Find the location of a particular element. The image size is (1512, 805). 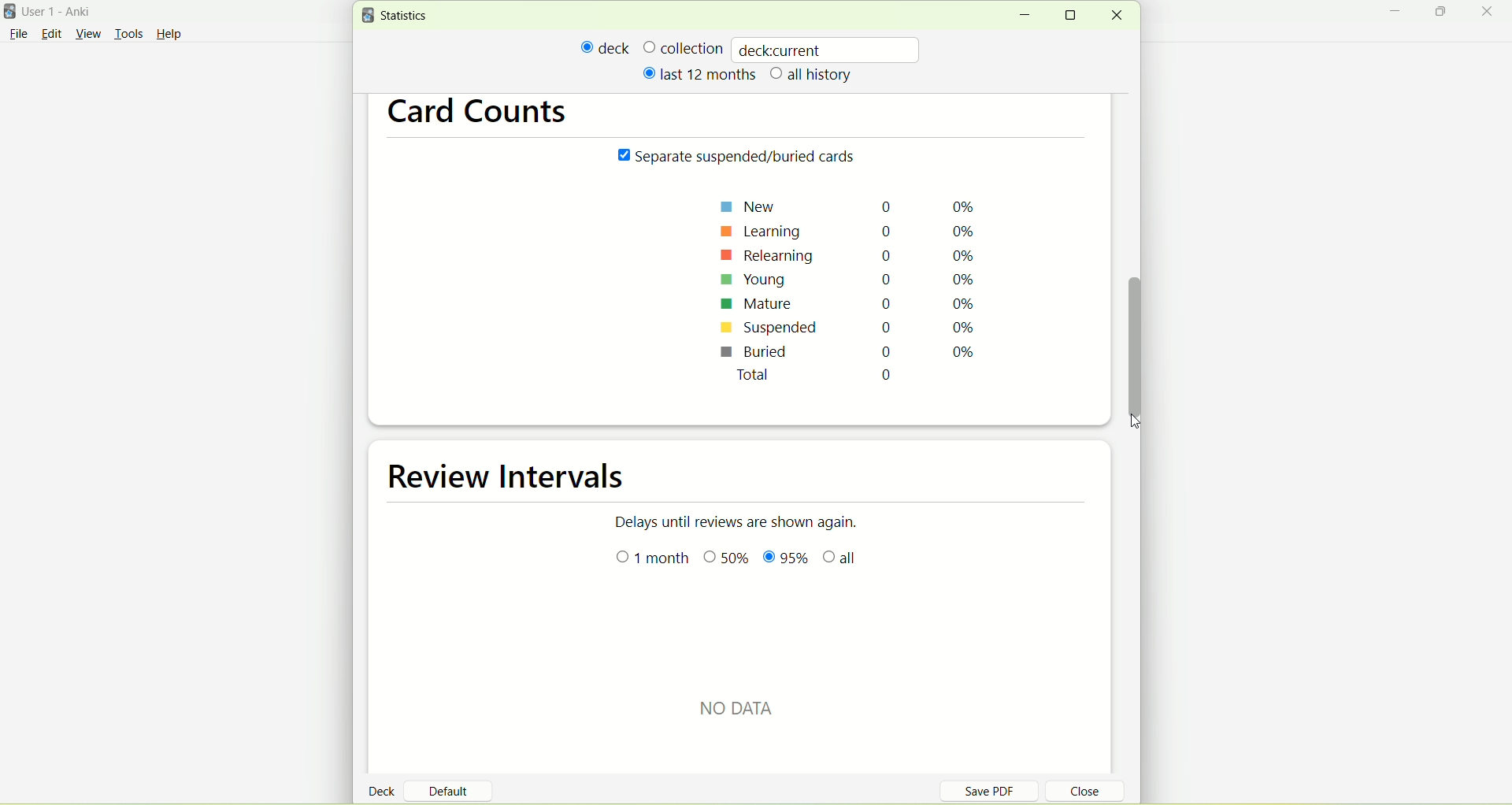

last 12 months is located at coordinates (698, 73).